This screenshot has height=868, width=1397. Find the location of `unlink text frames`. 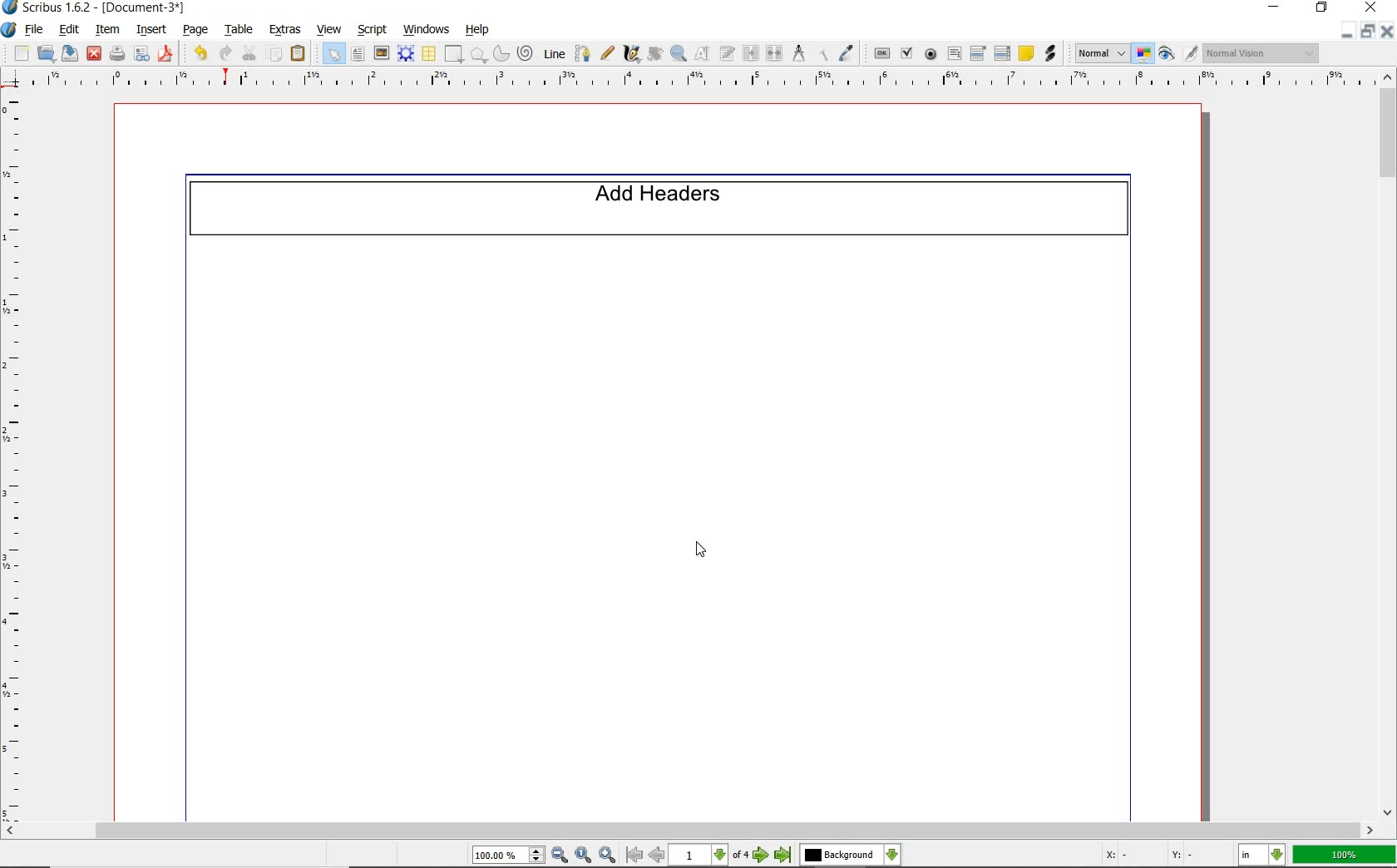

unlink text frames is located at coordinates (775, 53).